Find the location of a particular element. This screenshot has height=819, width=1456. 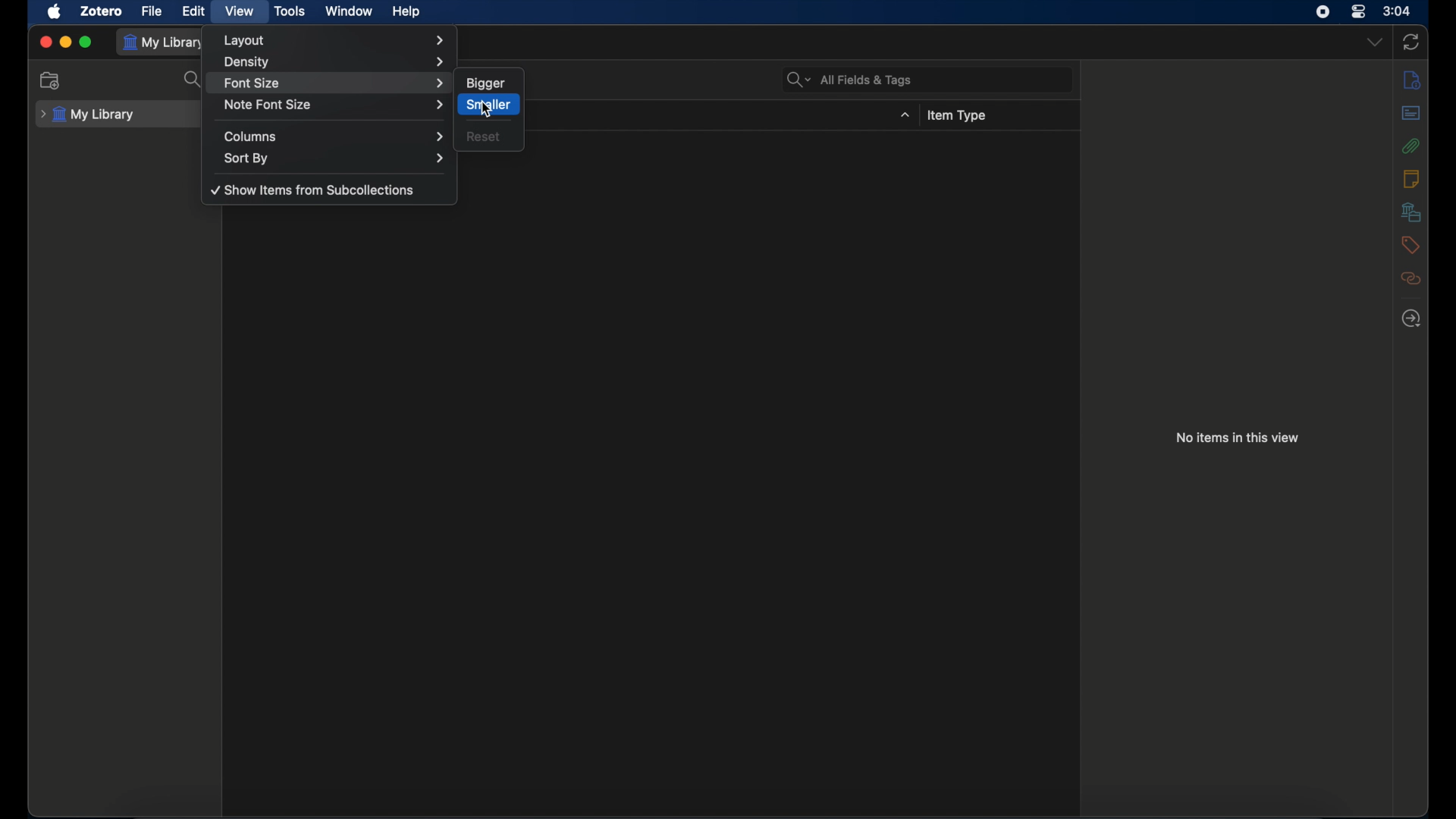

help is located at coordinates (405, 11).